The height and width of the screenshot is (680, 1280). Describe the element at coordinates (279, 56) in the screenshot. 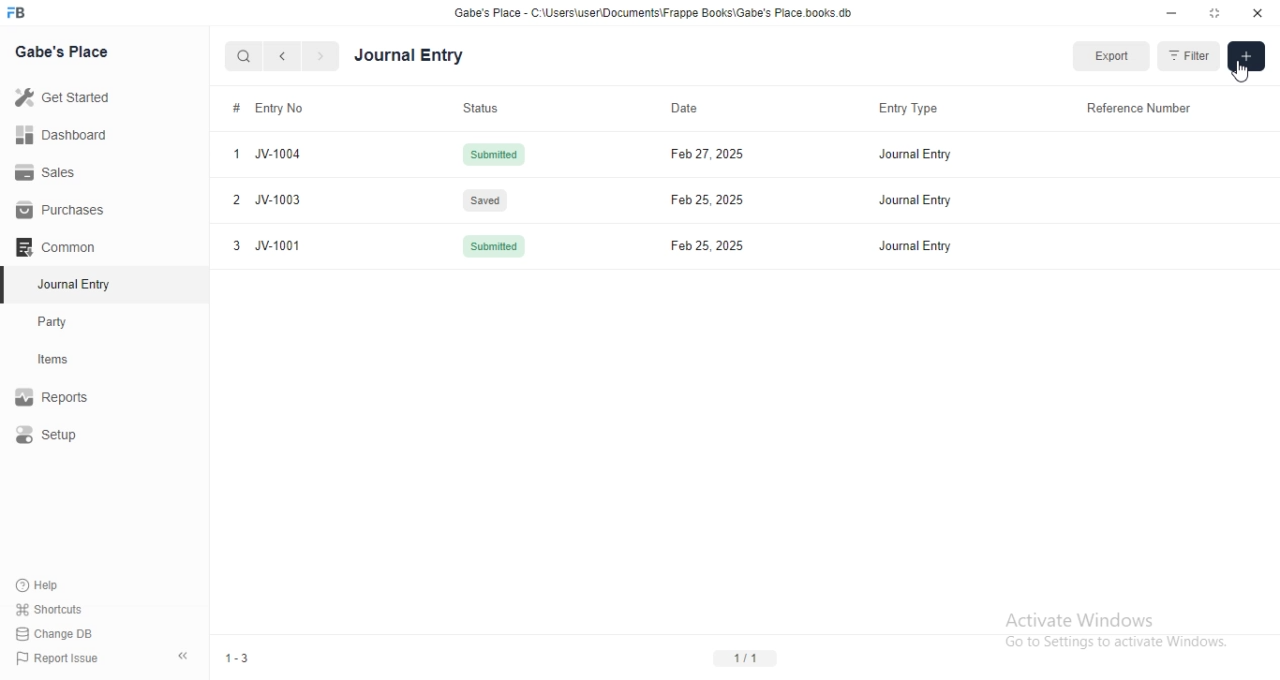

I see `previous` at that location.